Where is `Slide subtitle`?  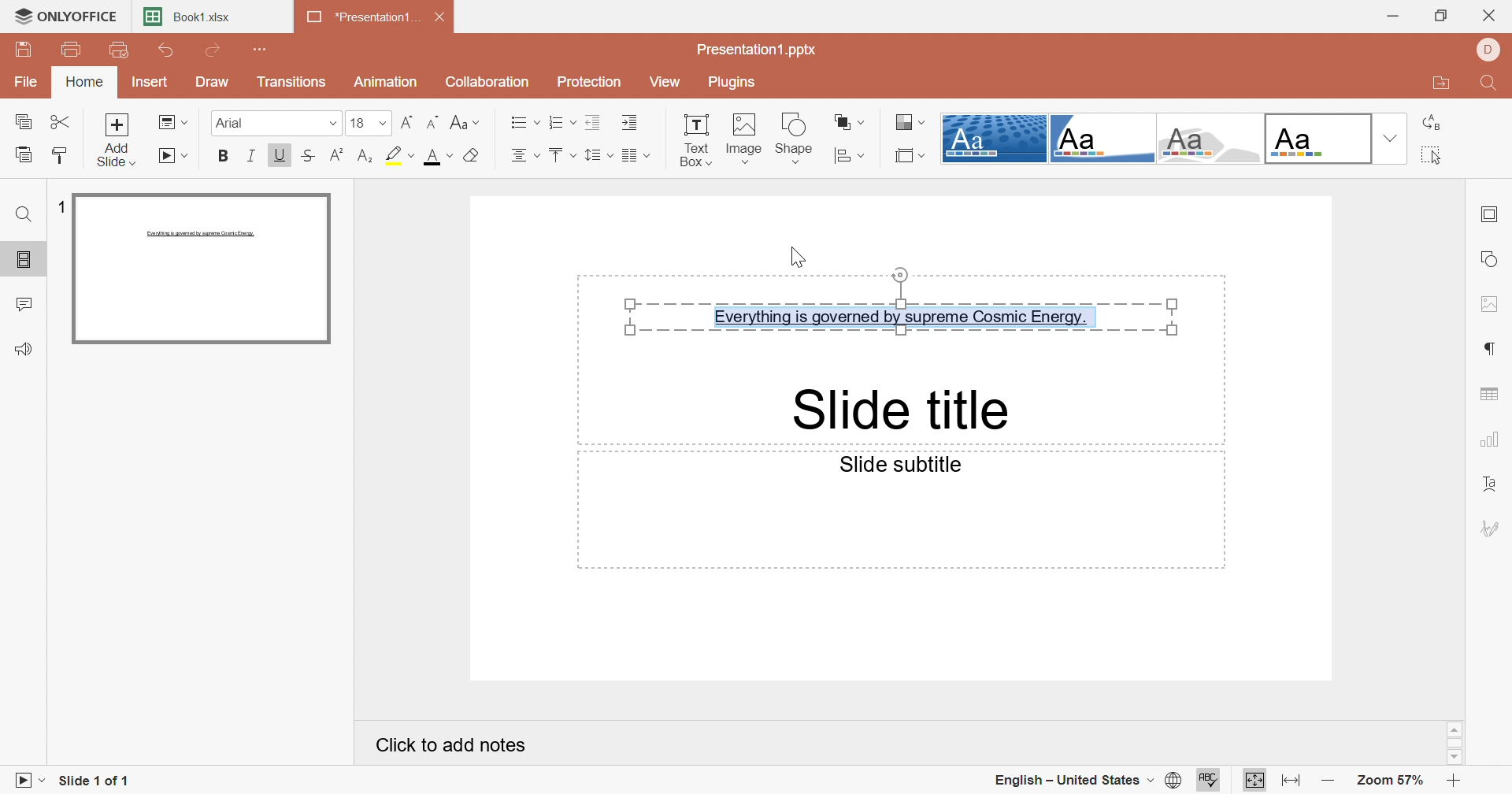 Slide subtitle is located at coordinates (891, 463).